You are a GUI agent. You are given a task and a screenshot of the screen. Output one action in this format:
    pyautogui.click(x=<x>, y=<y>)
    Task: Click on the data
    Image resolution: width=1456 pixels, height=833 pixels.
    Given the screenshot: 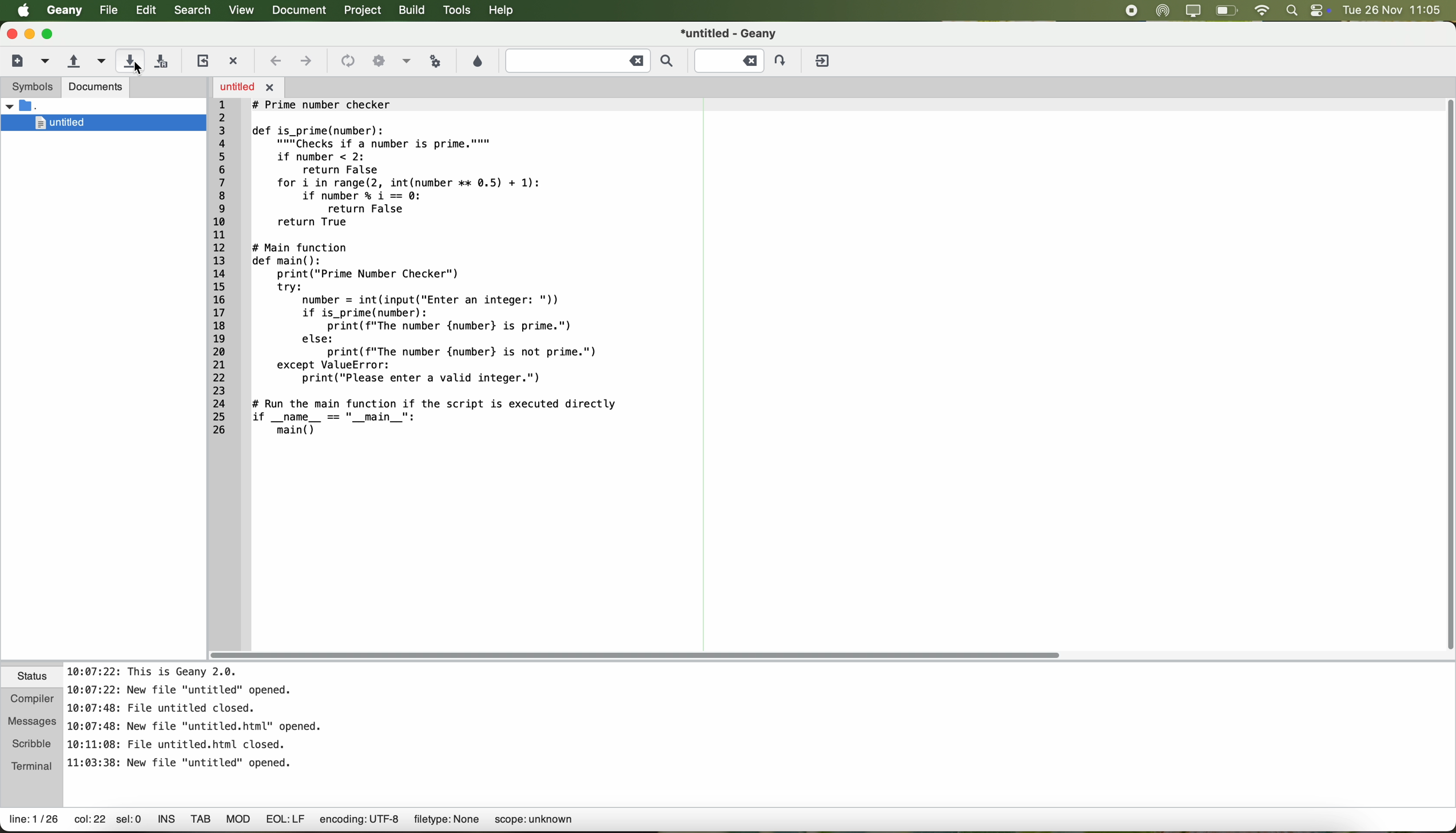 What is the action you would take?
    pyautogui.click(x=293, y=822)
    